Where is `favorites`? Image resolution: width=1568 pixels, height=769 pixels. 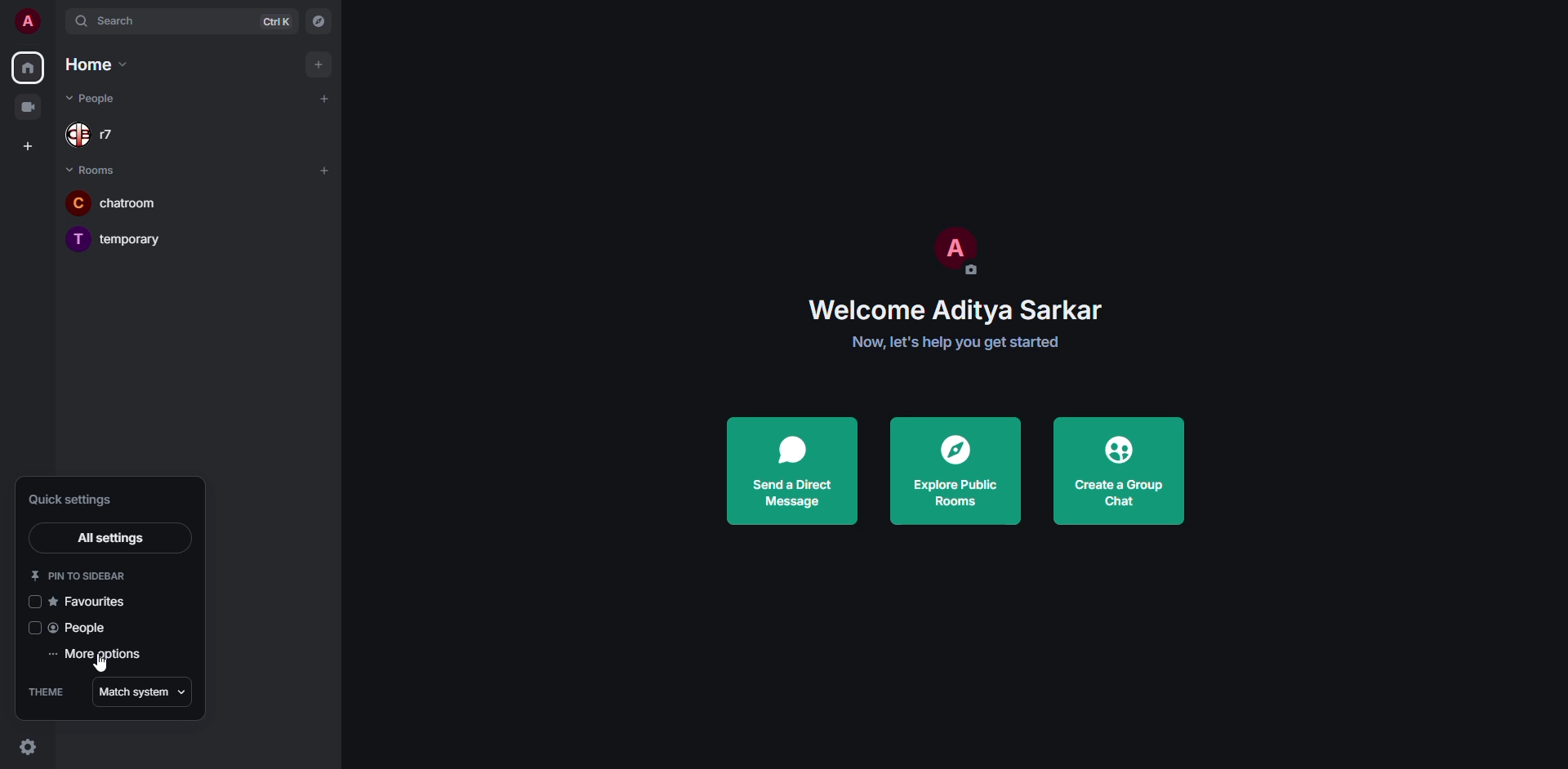 favorites is located at coordinates (90, 602).